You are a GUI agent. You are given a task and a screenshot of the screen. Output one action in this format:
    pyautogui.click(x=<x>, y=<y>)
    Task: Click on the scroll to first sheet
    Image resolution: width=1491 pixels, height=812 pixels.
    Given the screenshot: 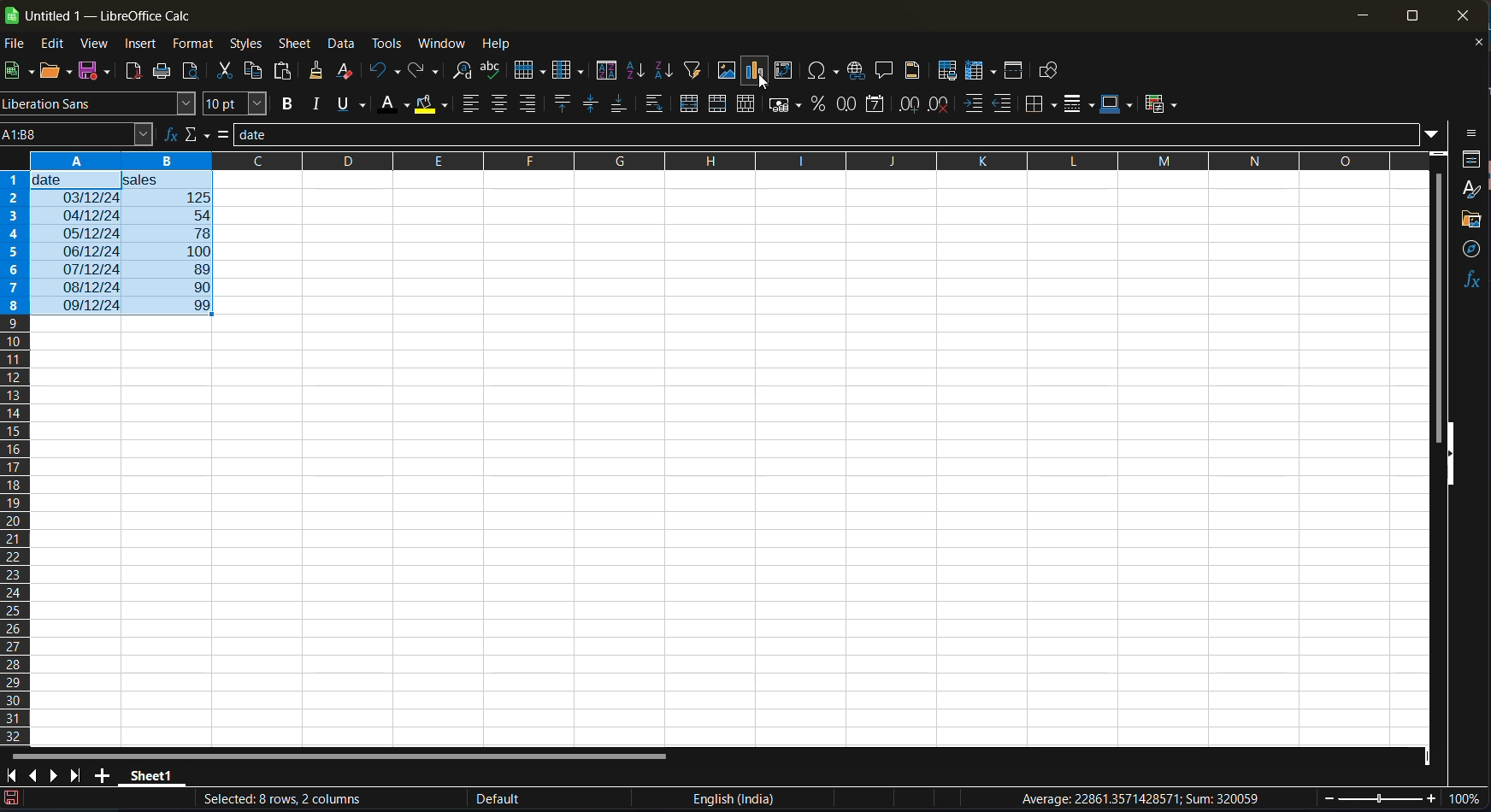 What is the action you would take?
    pyautogui.click(x=9, y=776)
    